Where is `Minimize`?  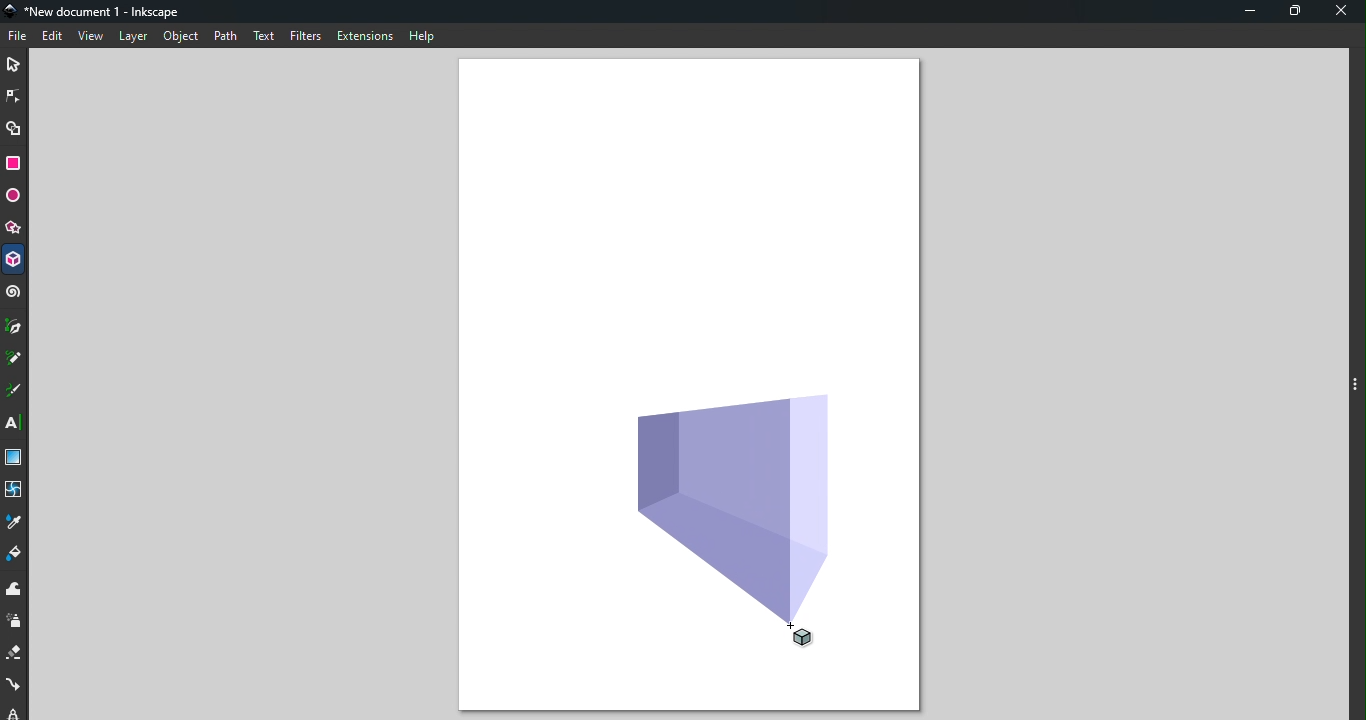
Minimize is located at coordinates (1250, 12).